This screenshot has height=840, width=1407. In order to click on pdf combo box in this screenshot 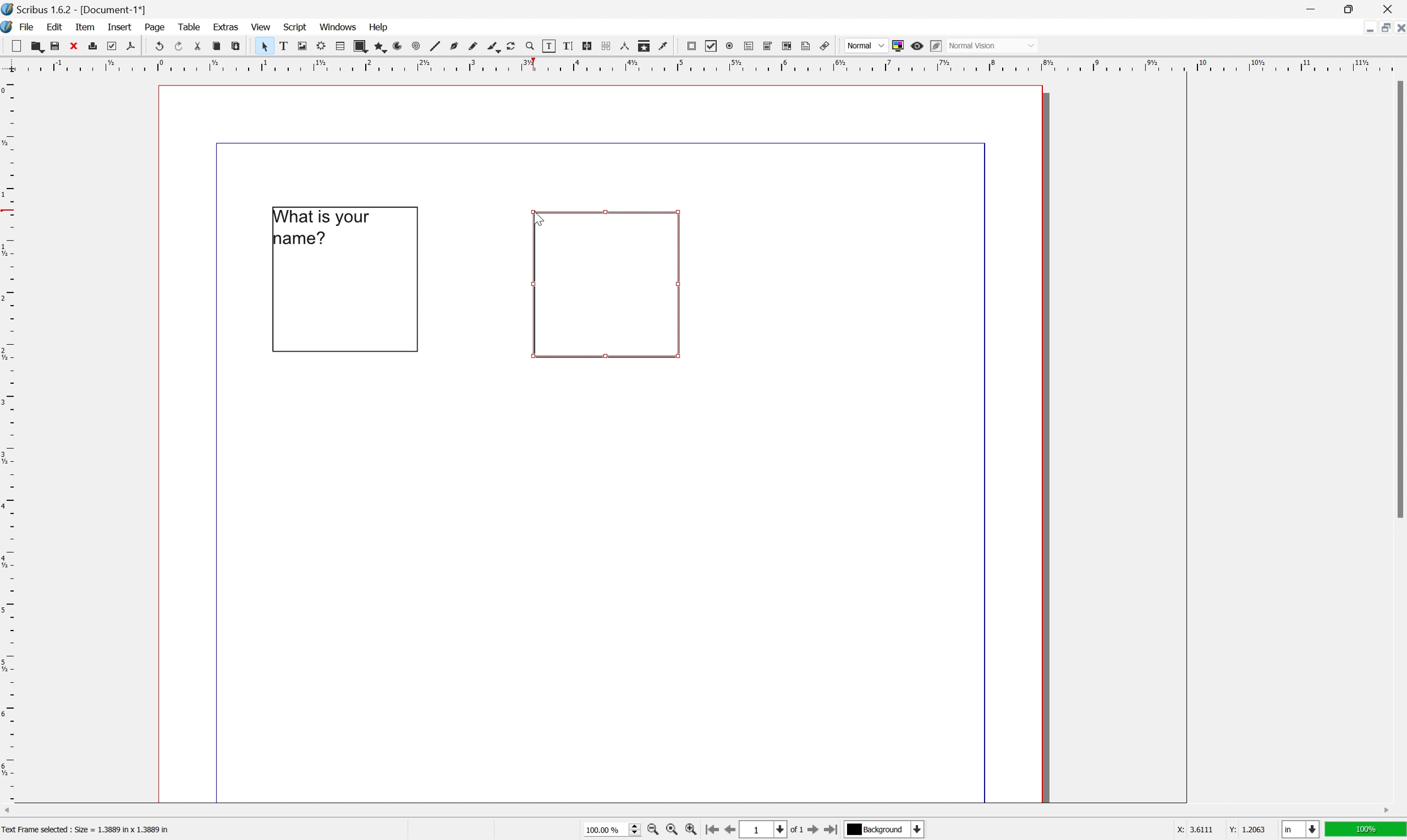, I will do `click(767, 45)`.